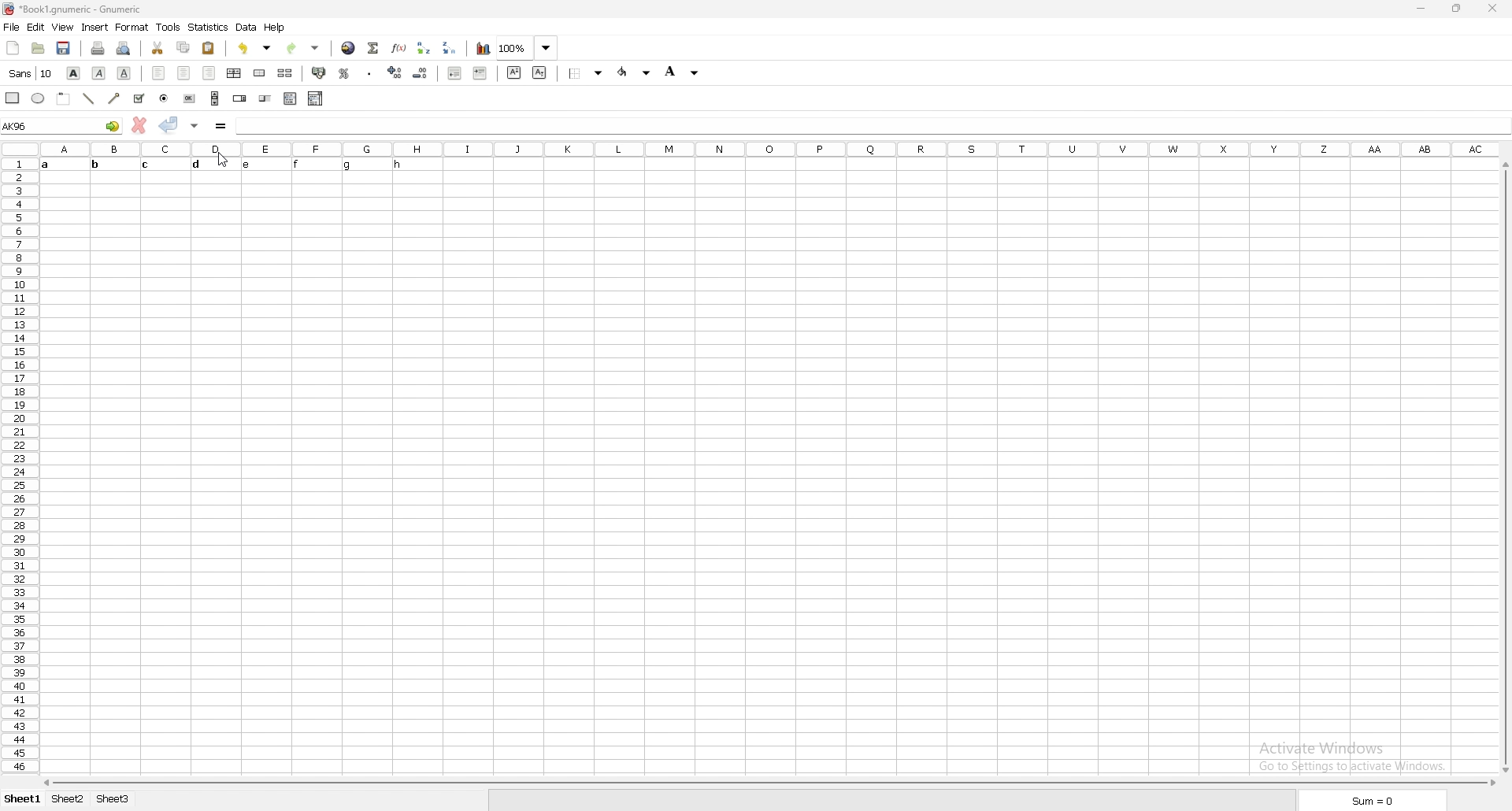 This screenshot has height=811, width=1512. What do you see at coordinates (158, 47) in the screenshot?
I see `cut` at bounding box center [158, 47].